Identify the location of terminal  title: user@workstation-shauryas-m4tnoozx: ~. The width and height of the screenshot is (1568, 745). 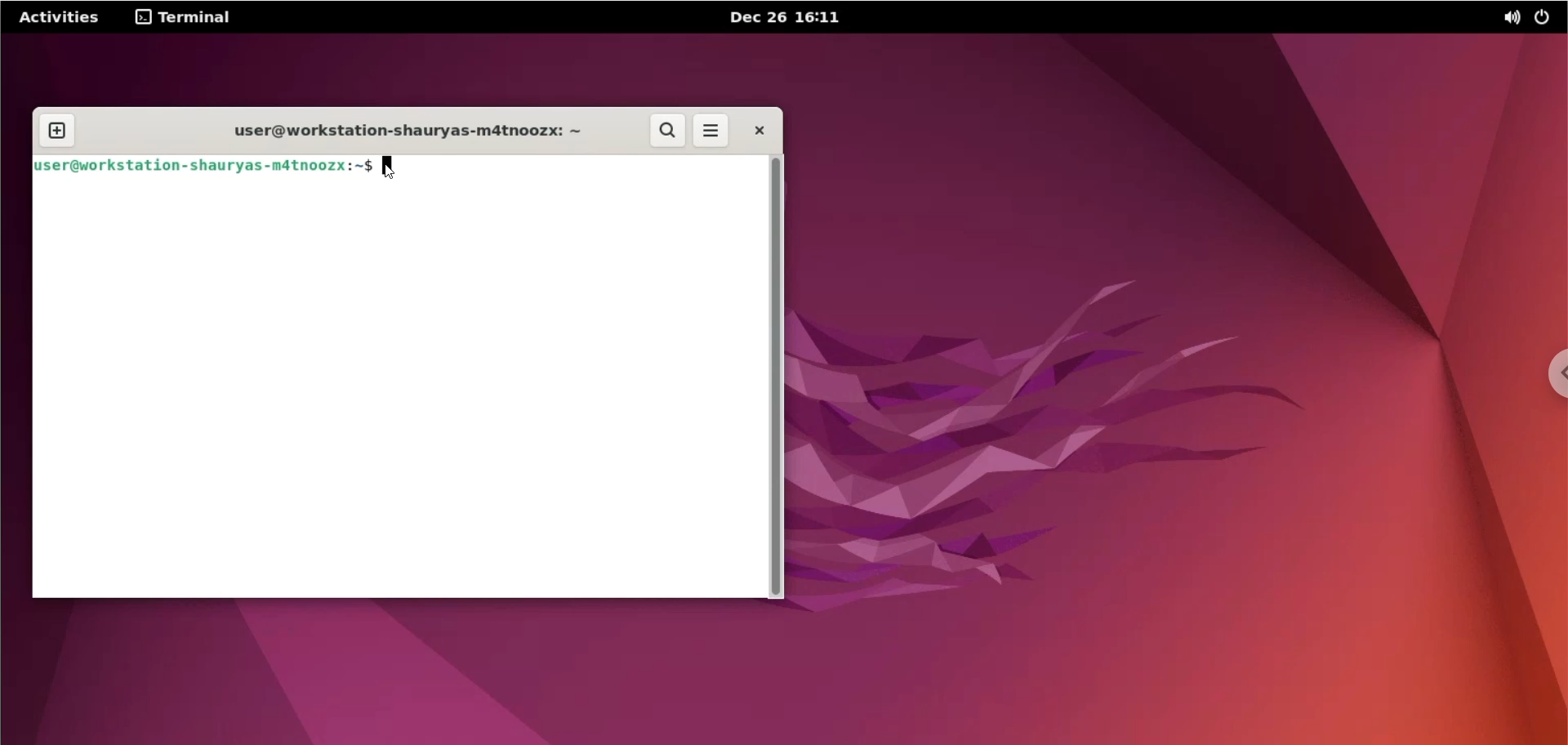
(390, 130).